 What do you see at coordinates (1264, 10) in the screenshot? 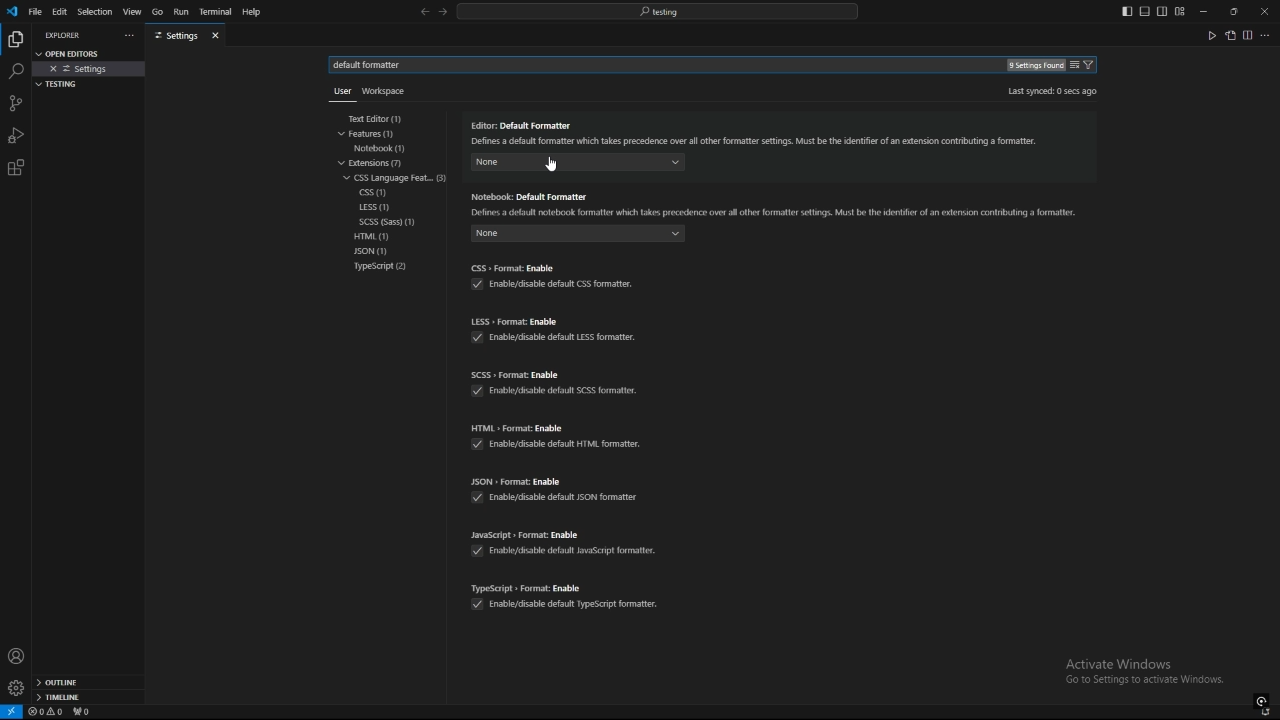
I see `close` at bounding box center [1264, 10].